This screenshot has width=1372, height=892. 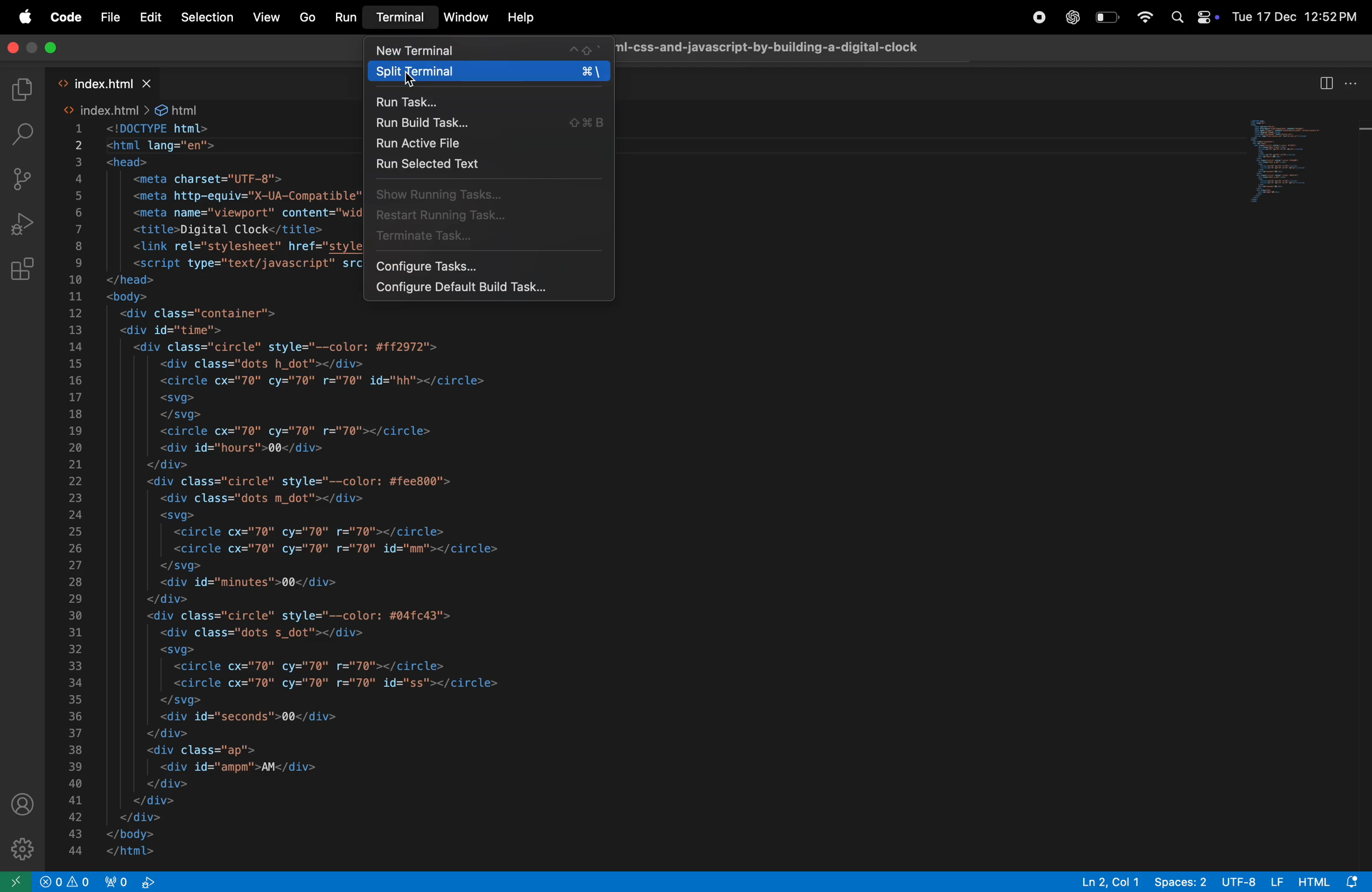 I want to click on restart running task, so click(x=489, y=216).